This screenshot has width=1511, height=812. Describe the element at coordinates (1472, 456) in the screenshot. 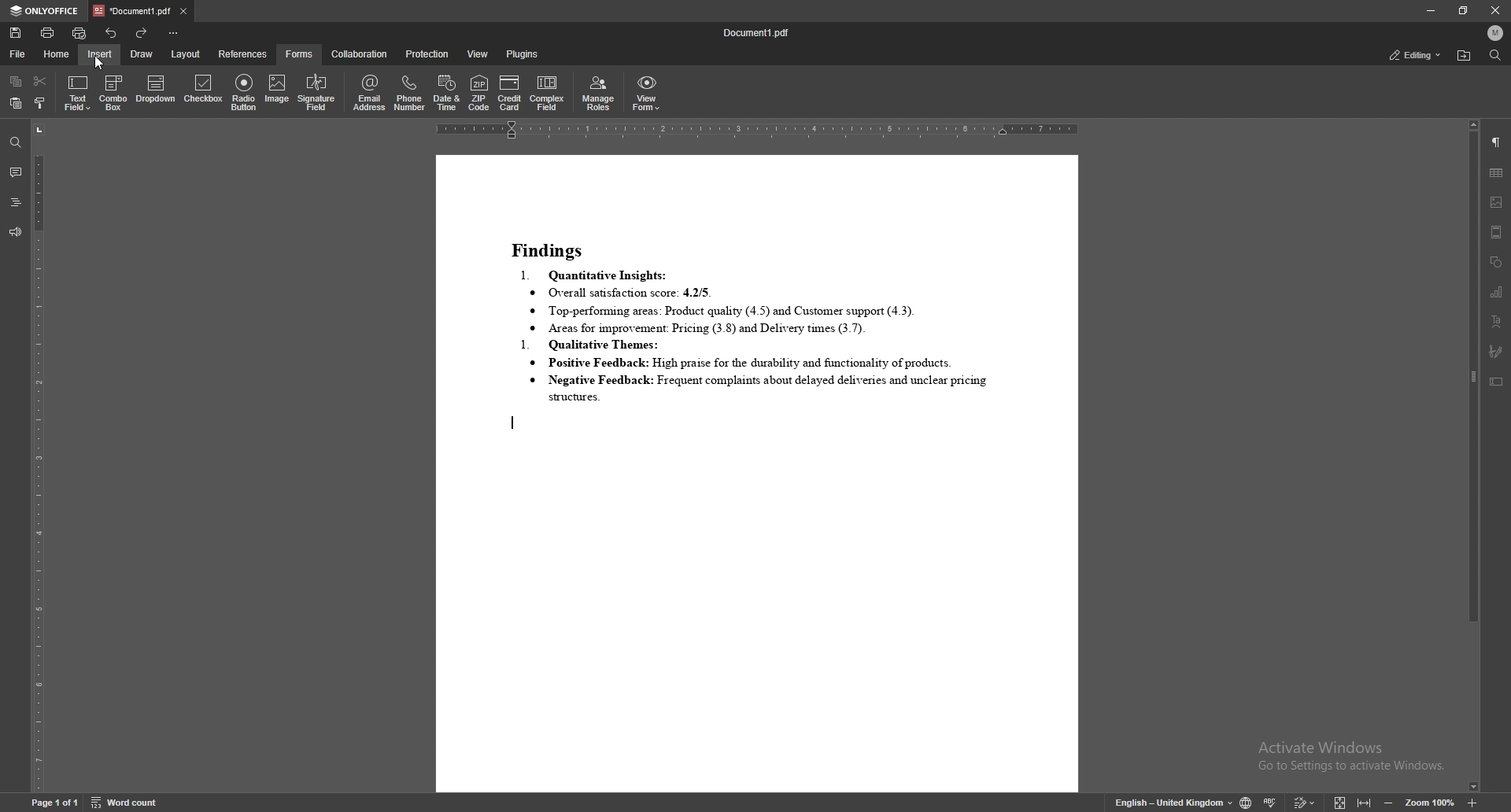

I see `scroll bar` at that location.